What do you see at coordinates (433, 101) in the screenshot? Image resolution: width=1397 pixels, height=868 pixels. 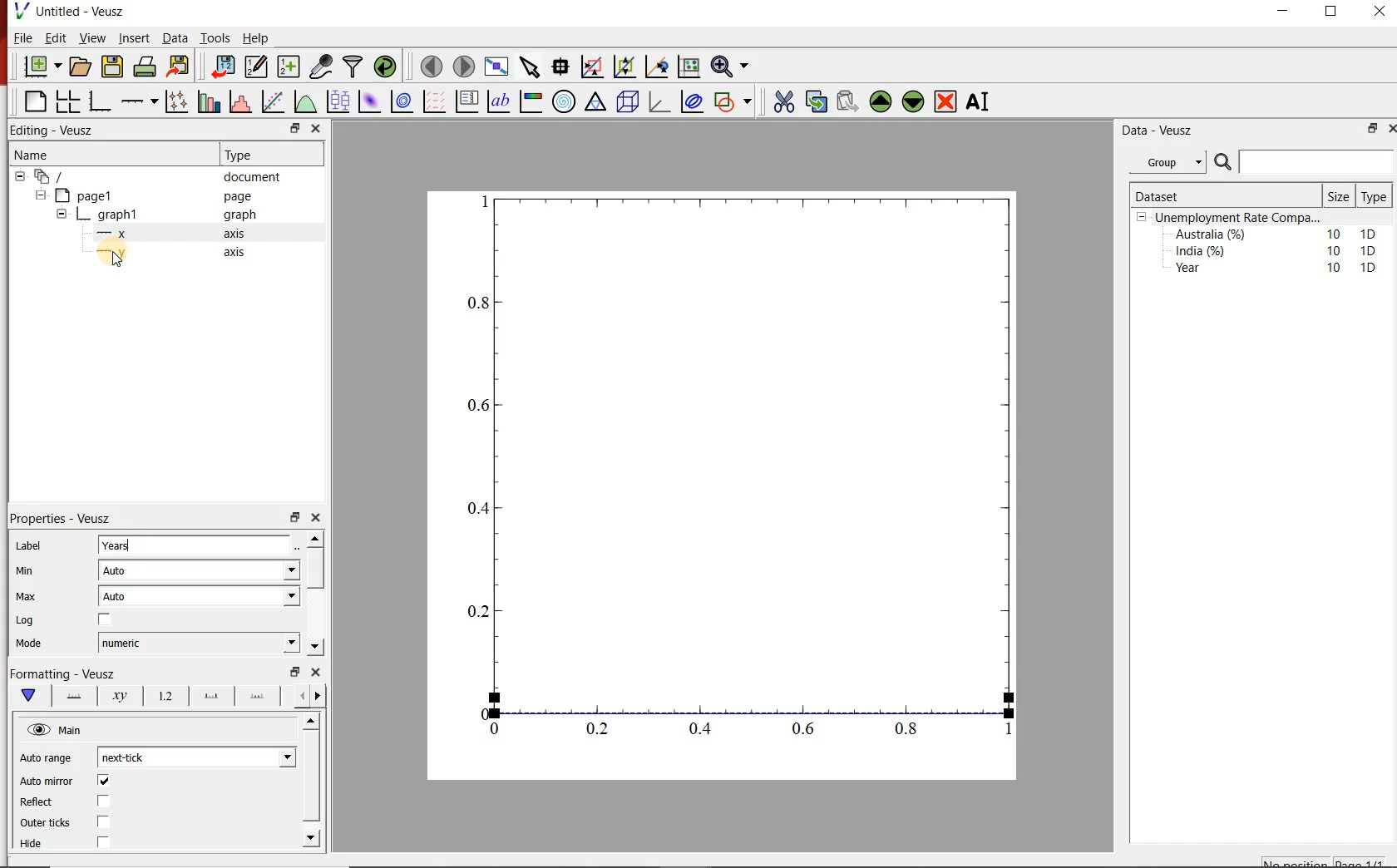 I see `plot vector field` at bounding box center [433, 101].